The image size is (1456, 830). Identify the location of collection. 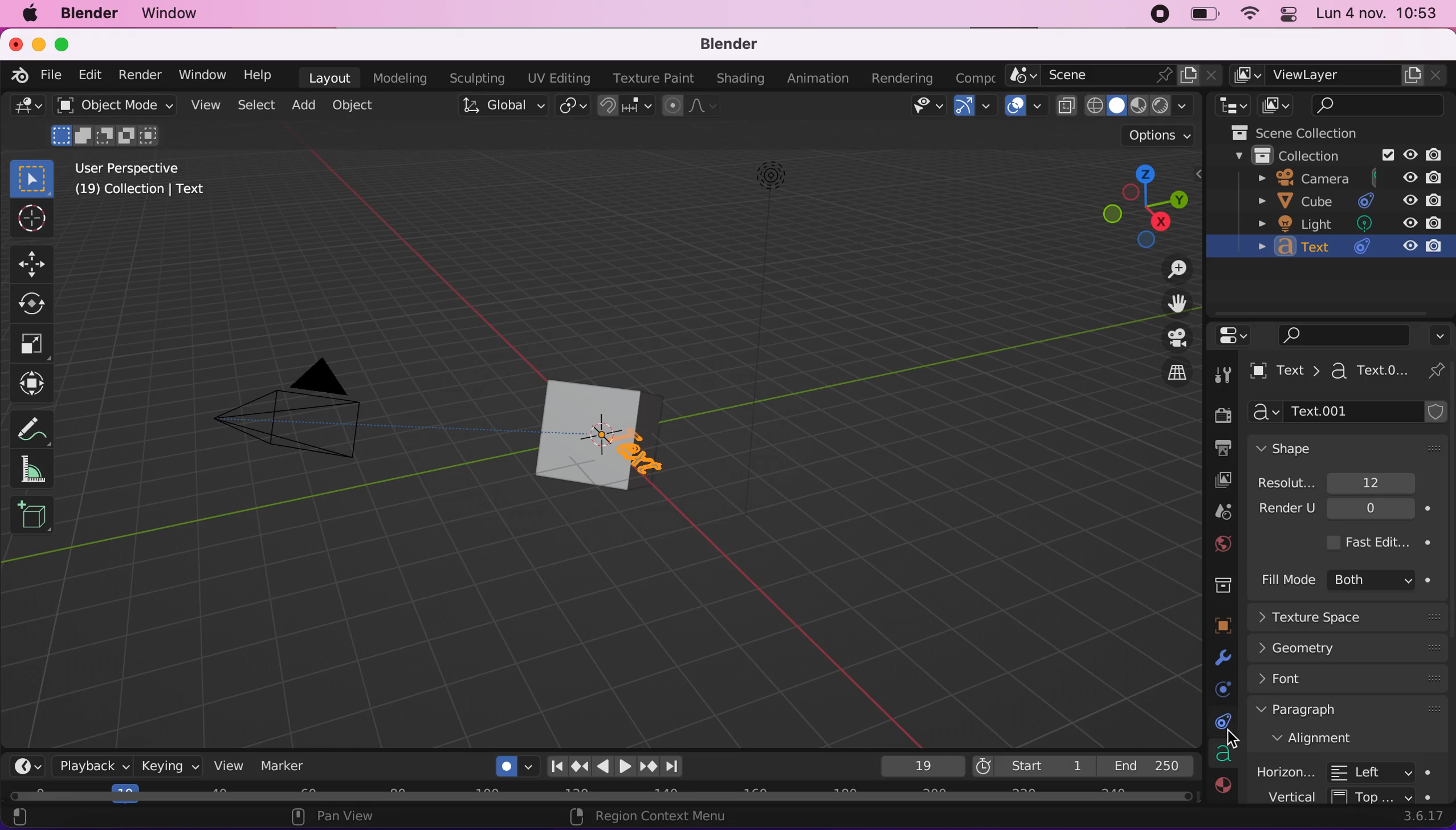
(1329, 157).